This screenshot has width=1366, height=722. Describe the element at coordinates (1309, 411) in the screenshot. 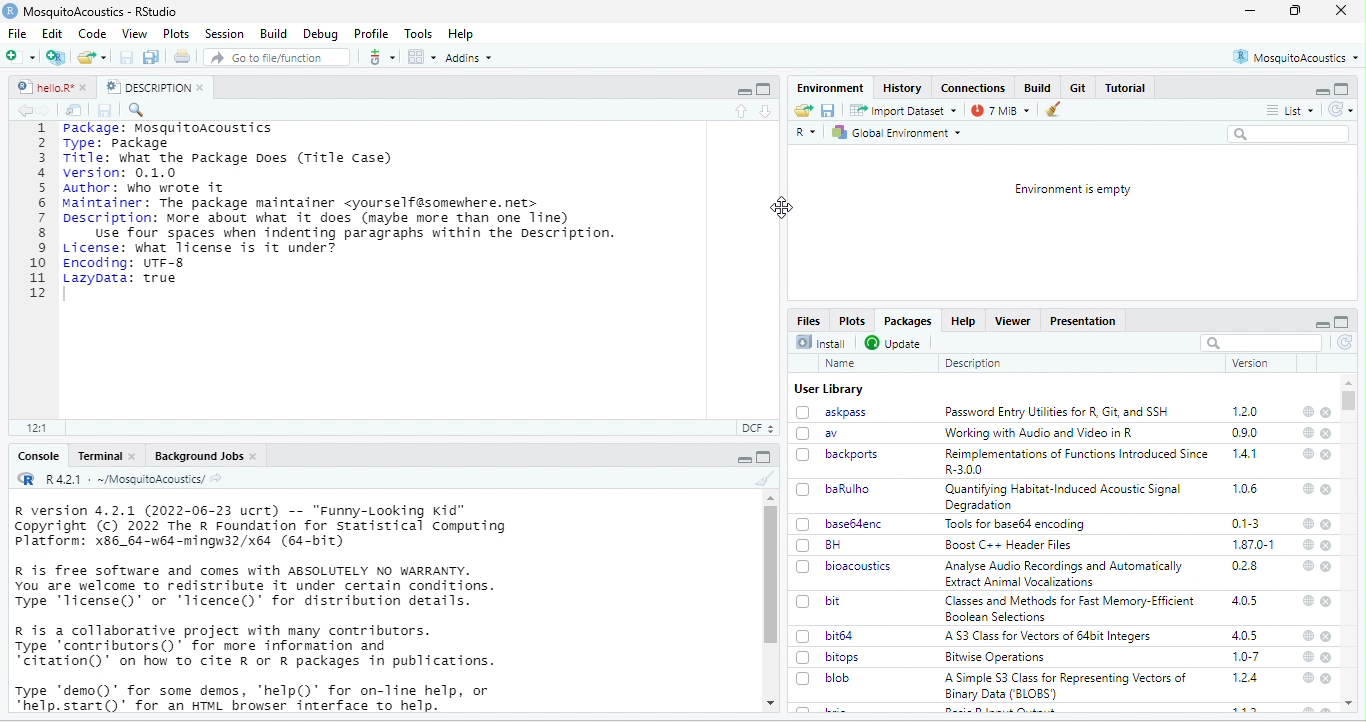

I see `help` at that location.